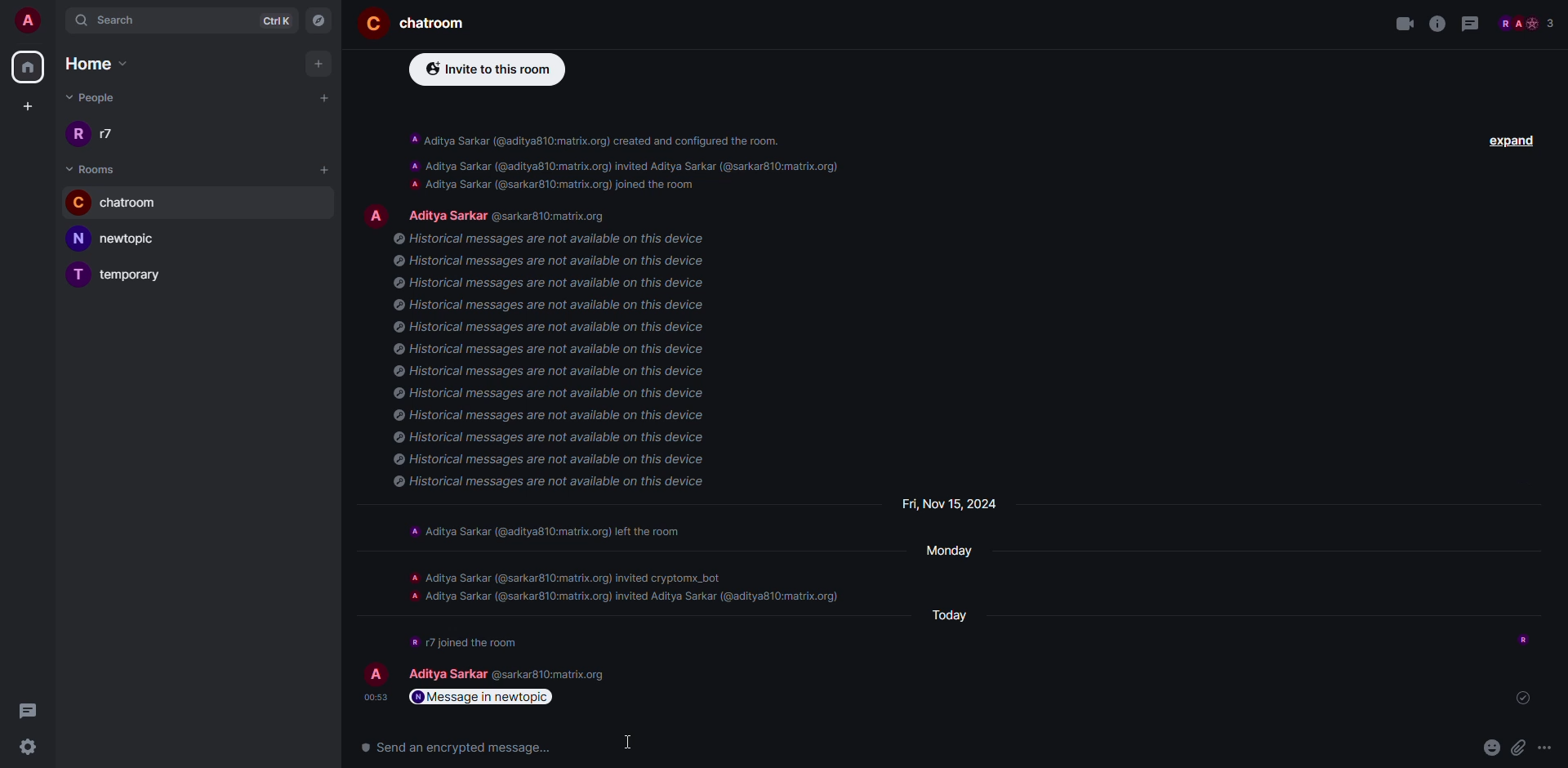 The image size is (1568, 768). What do you see at coordinates (1473, 24) in the screenshot?
I see `threads` at bounding box center [1473, 24].